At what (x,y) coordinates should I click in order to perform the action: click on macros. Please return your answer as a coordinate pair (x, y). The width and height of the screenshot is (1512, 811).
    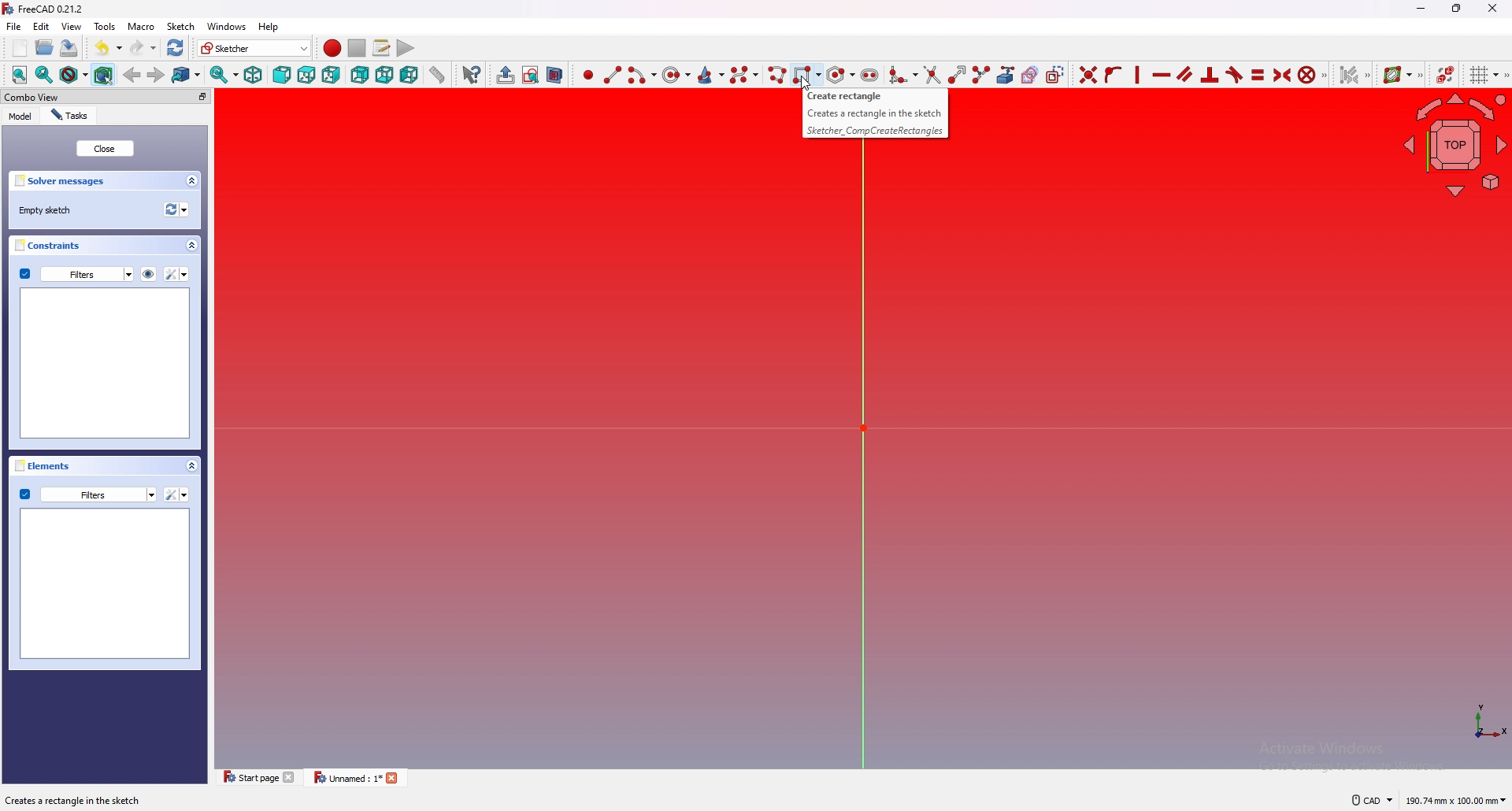
    Looking at the image, I should click on (382, 48).